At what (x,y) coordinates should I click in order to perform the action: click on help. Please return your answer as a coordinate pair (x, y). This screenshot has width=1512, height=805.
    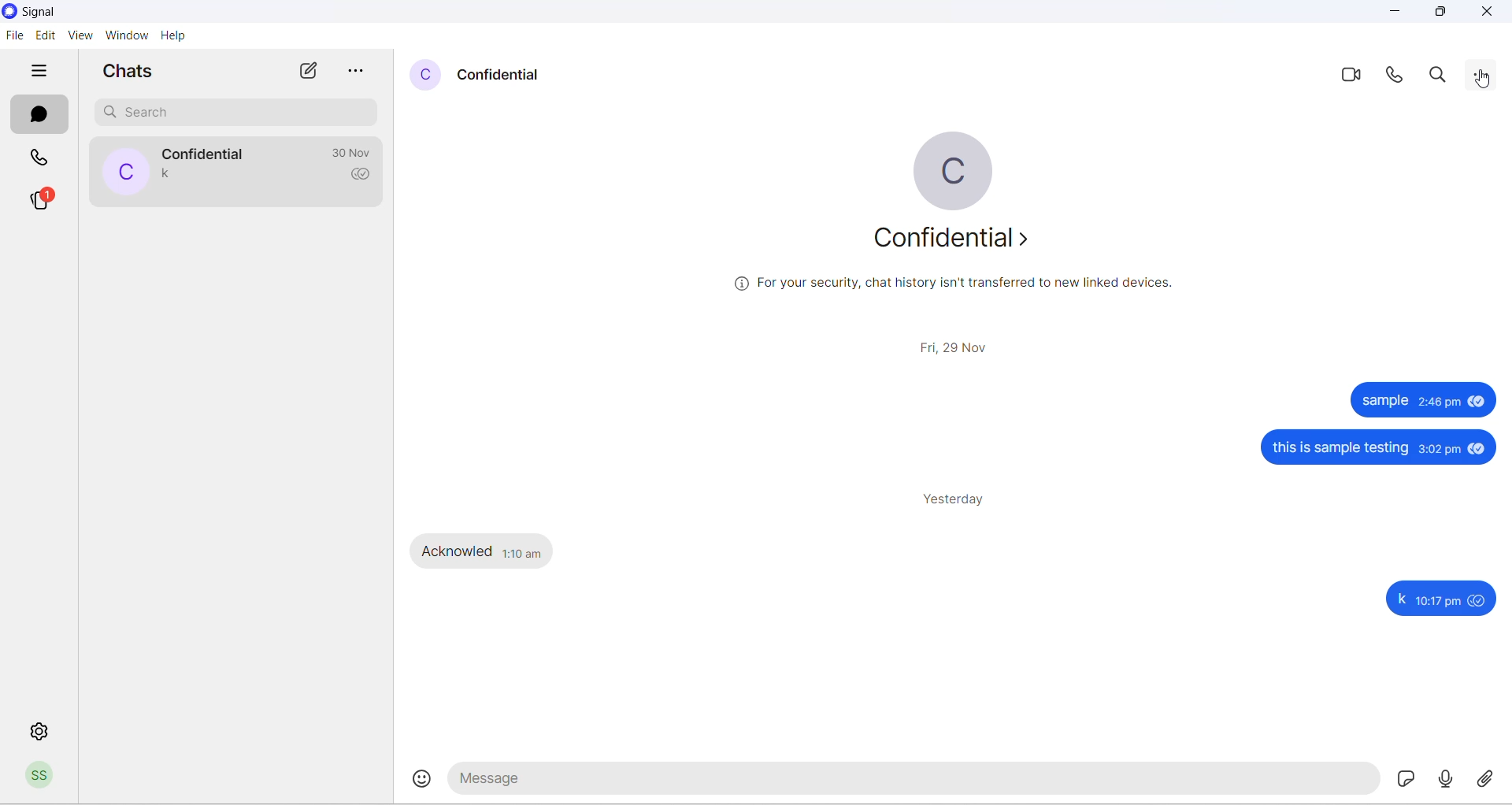
    Looking at the image, I should click on (179, 35).